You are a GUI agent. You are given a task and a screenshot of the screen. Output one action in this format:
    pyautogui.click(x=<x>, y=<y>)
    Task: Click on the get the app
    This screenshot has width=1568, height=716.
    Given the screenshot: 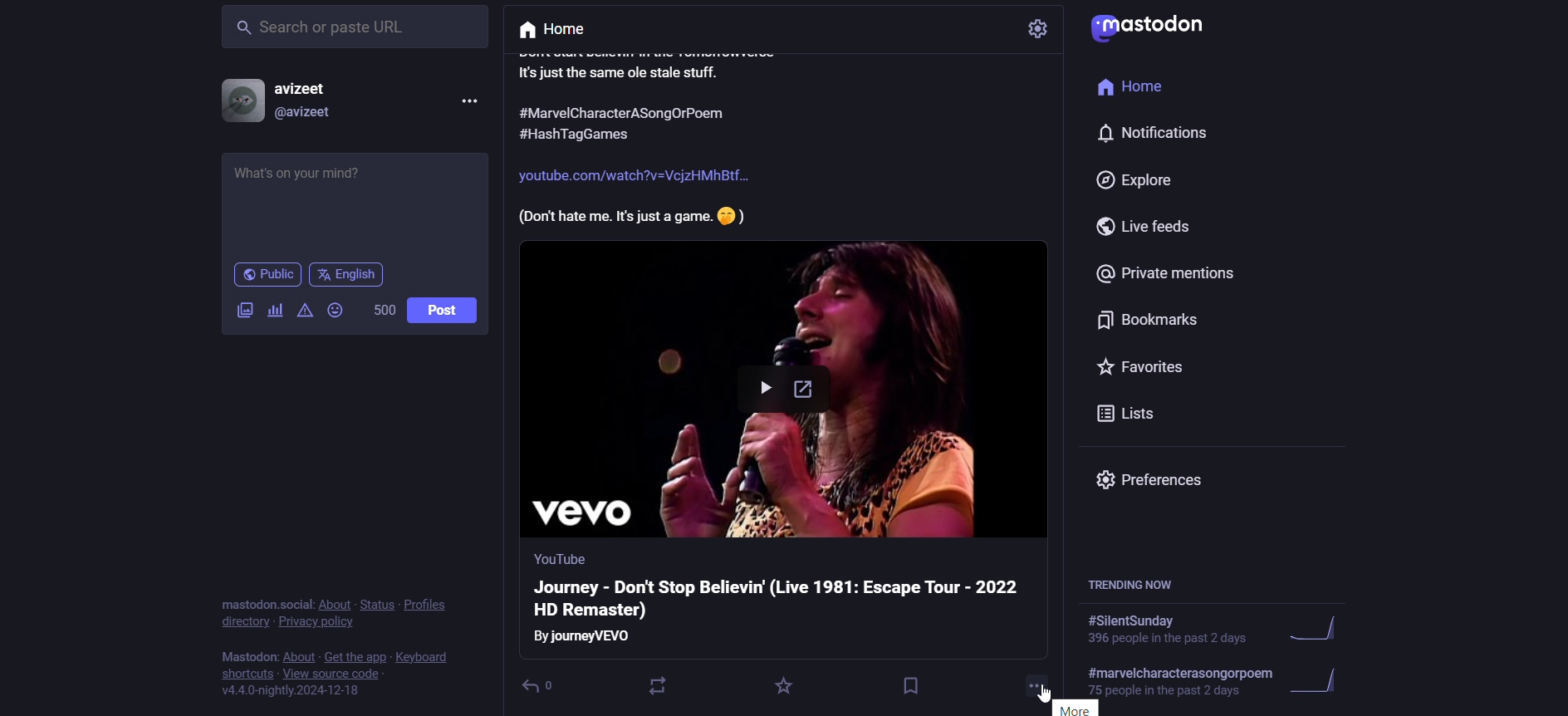 What is the action you would take?
    pyautogui.click(x=355, y=656)
    